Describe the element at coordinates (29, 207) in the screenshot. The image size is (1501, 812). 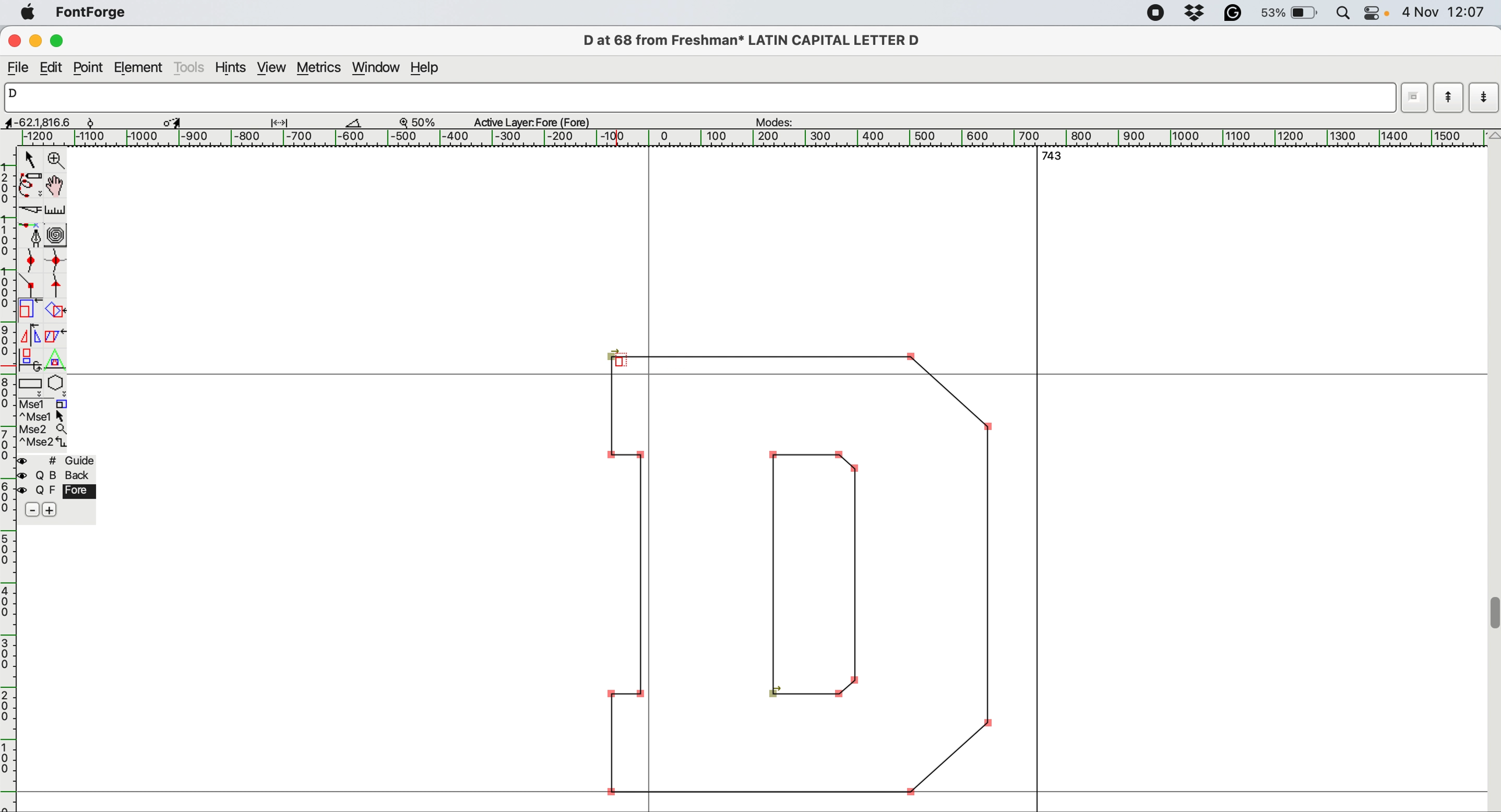
I see `cut splines in two` at that location.